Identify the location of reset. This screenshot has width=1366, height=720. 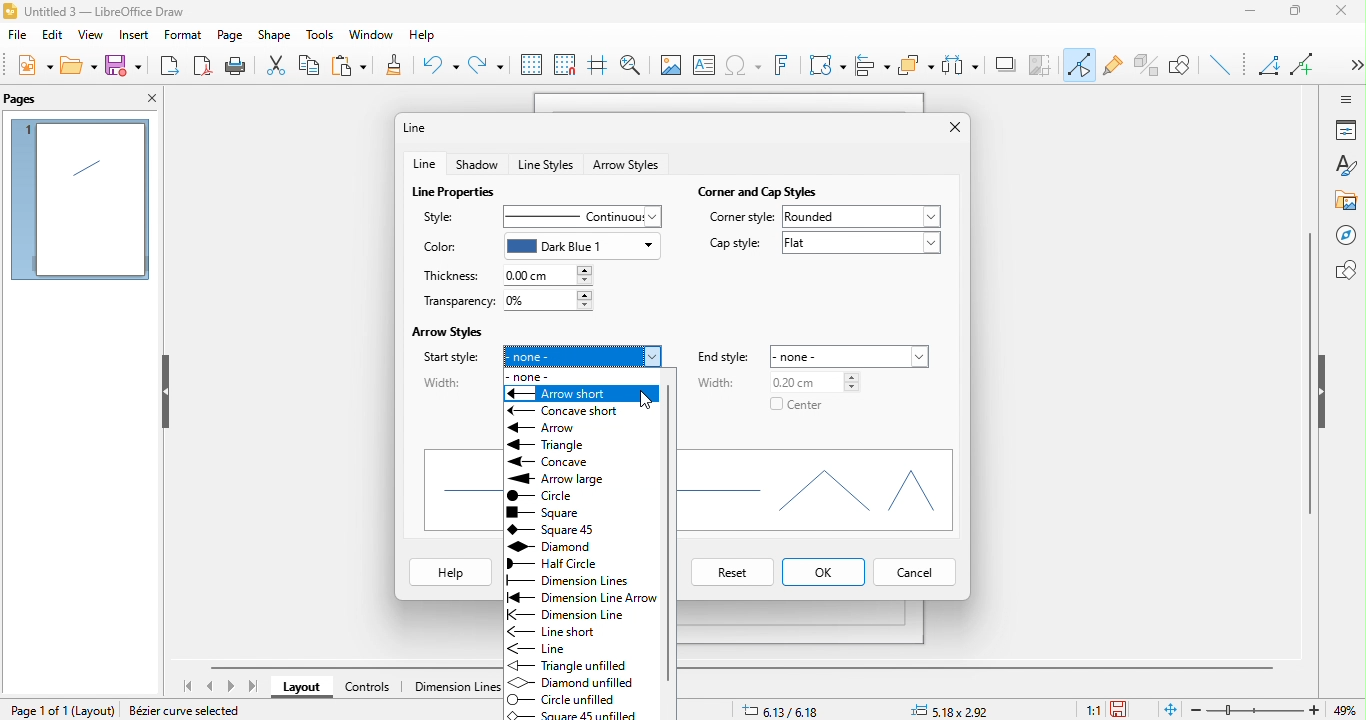
(728, 573).